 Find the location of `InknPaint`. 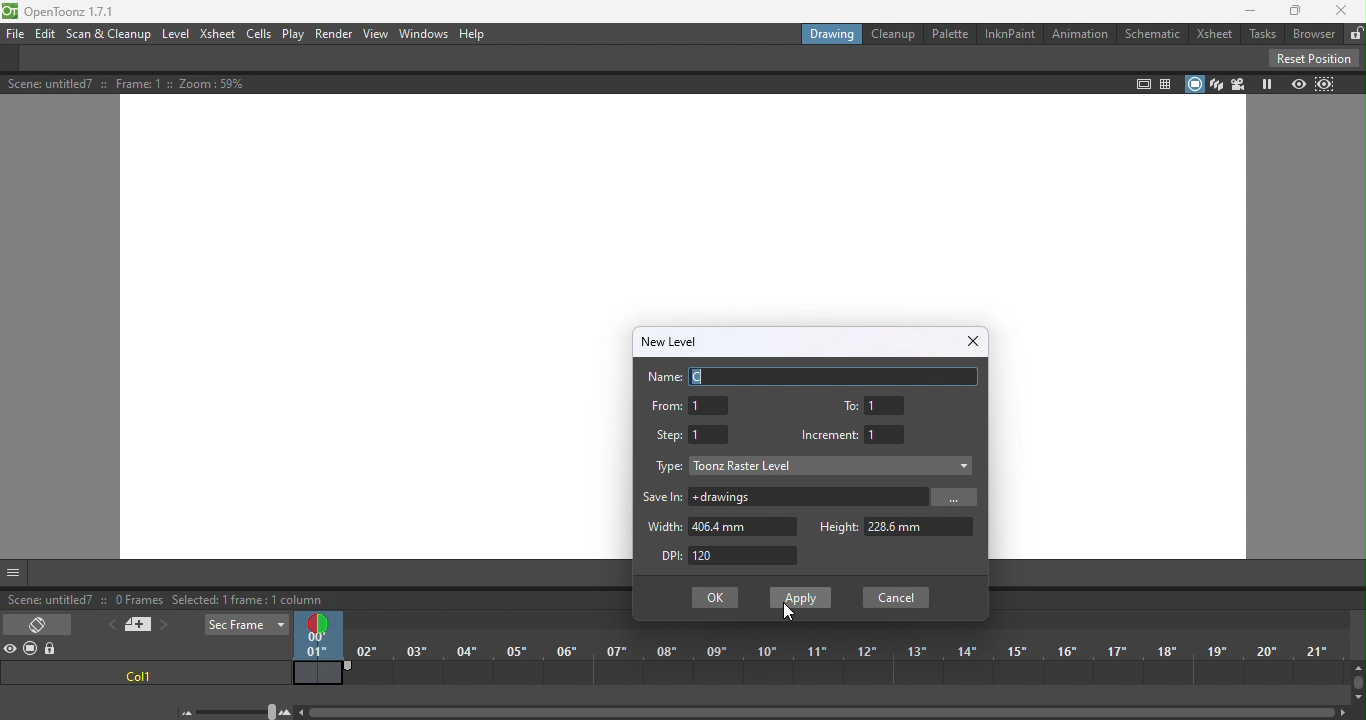

InknPaint is located at coordinates (1007, 34).